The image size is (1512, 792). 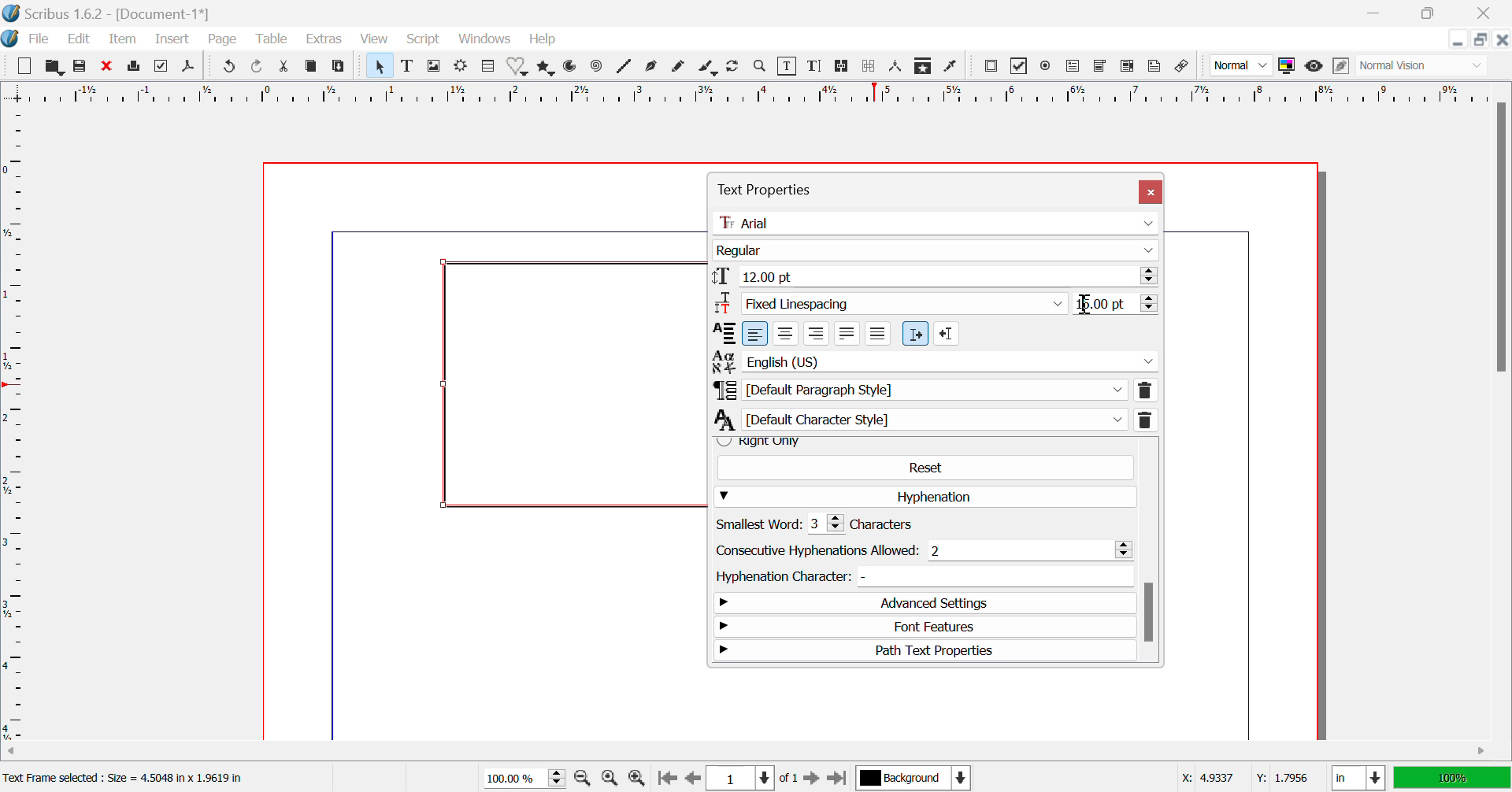 What do you see at coordinates (752, 777) in the screenshot?
I see `Page 1 of 1` at bounding box center [752, 777].